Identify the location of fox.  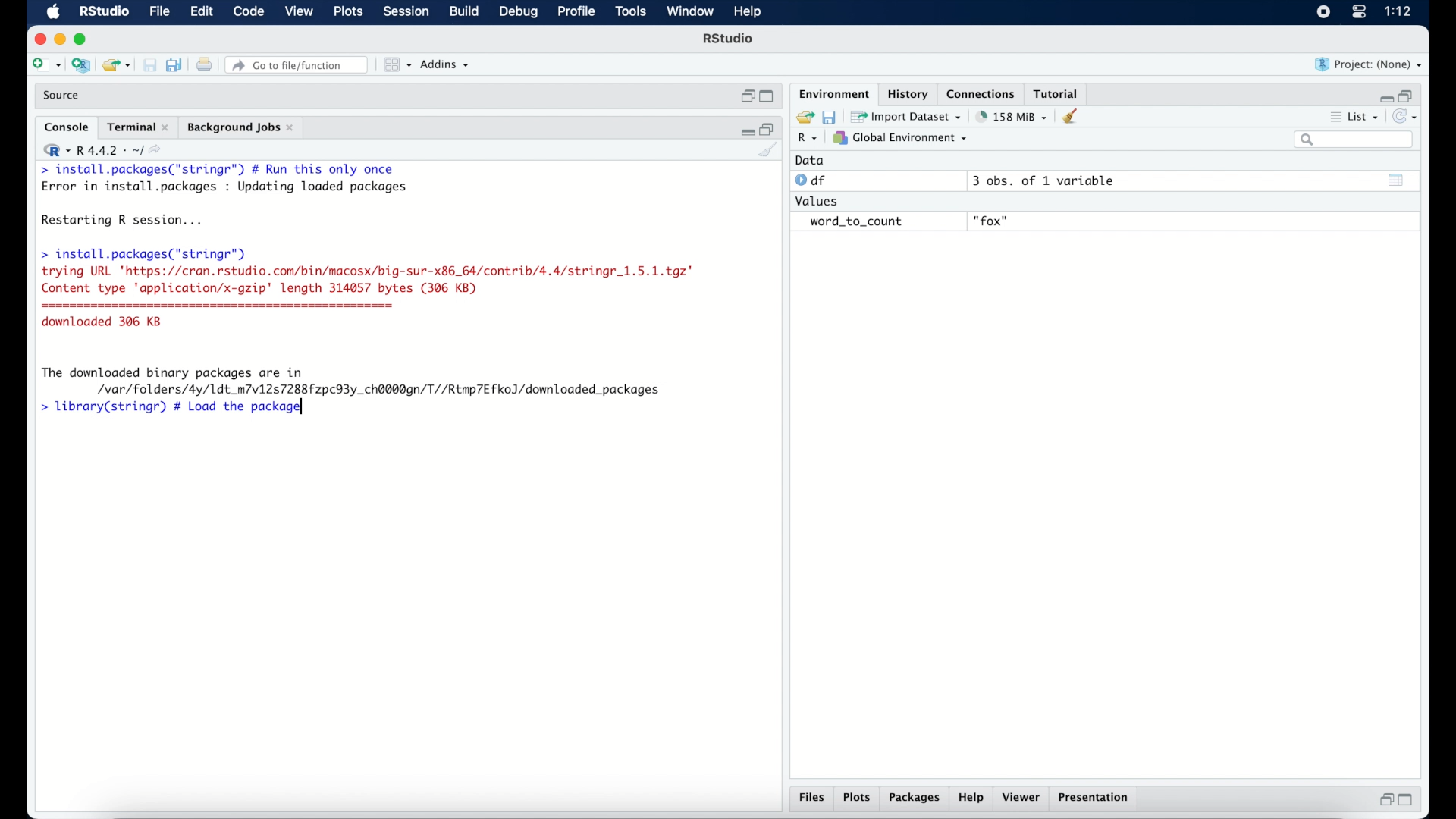
(992, 221).